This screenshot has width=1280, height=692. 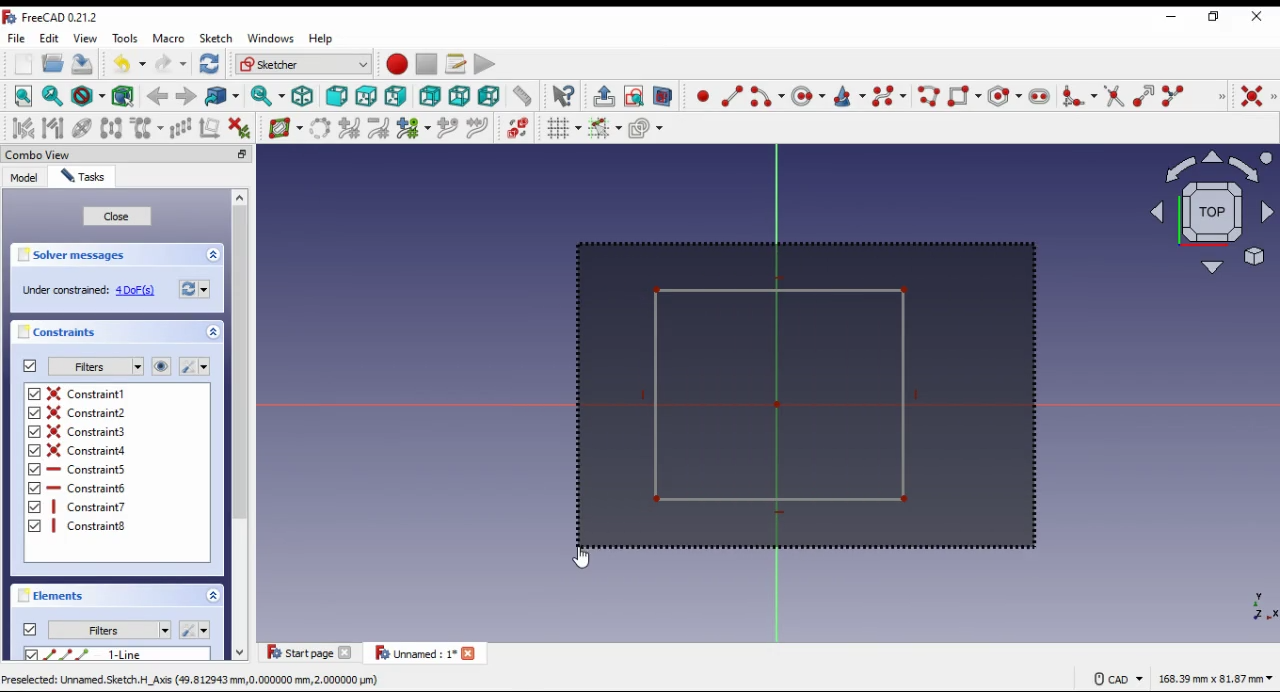 I want to click on draw style, so click(x=89, y=96).